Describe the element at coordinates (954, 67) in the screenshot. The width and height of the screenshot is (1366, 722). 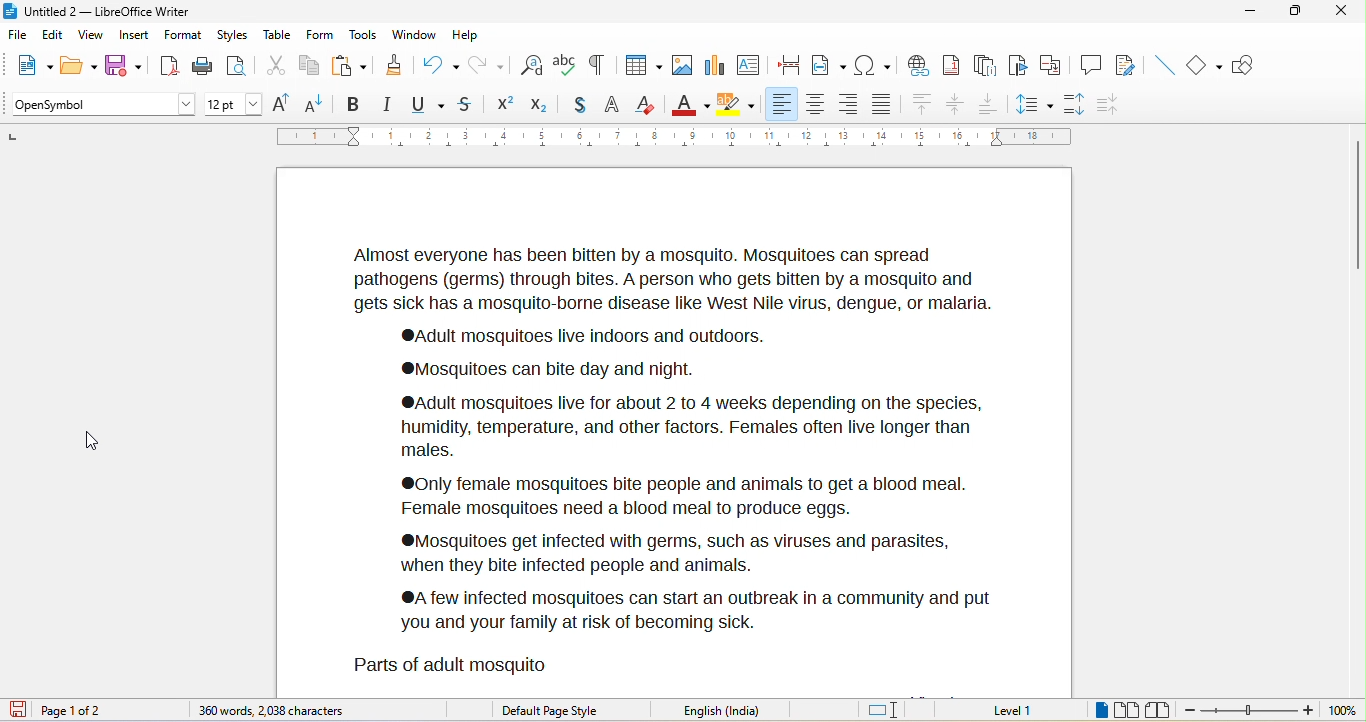
I see `footnote` at that location.